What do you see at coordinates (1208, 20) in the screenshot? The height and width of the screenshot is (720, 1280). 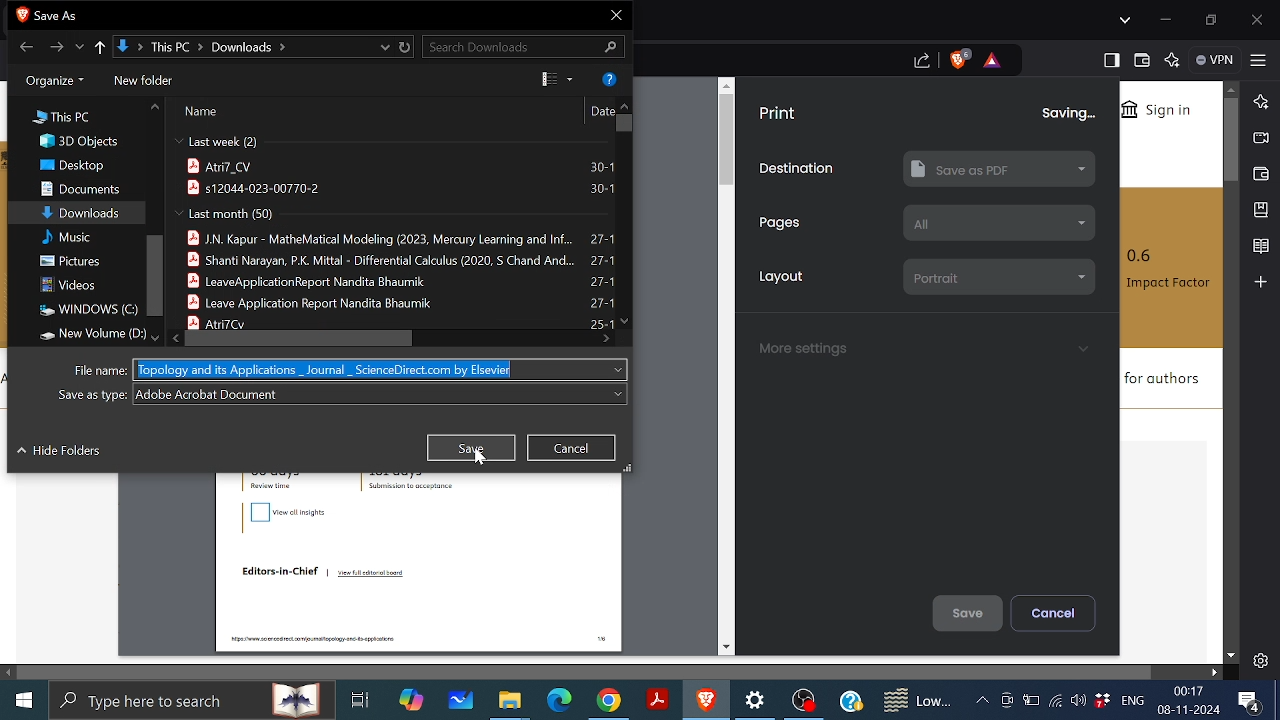 I see `restore down` at bounding box center [1208, 20].